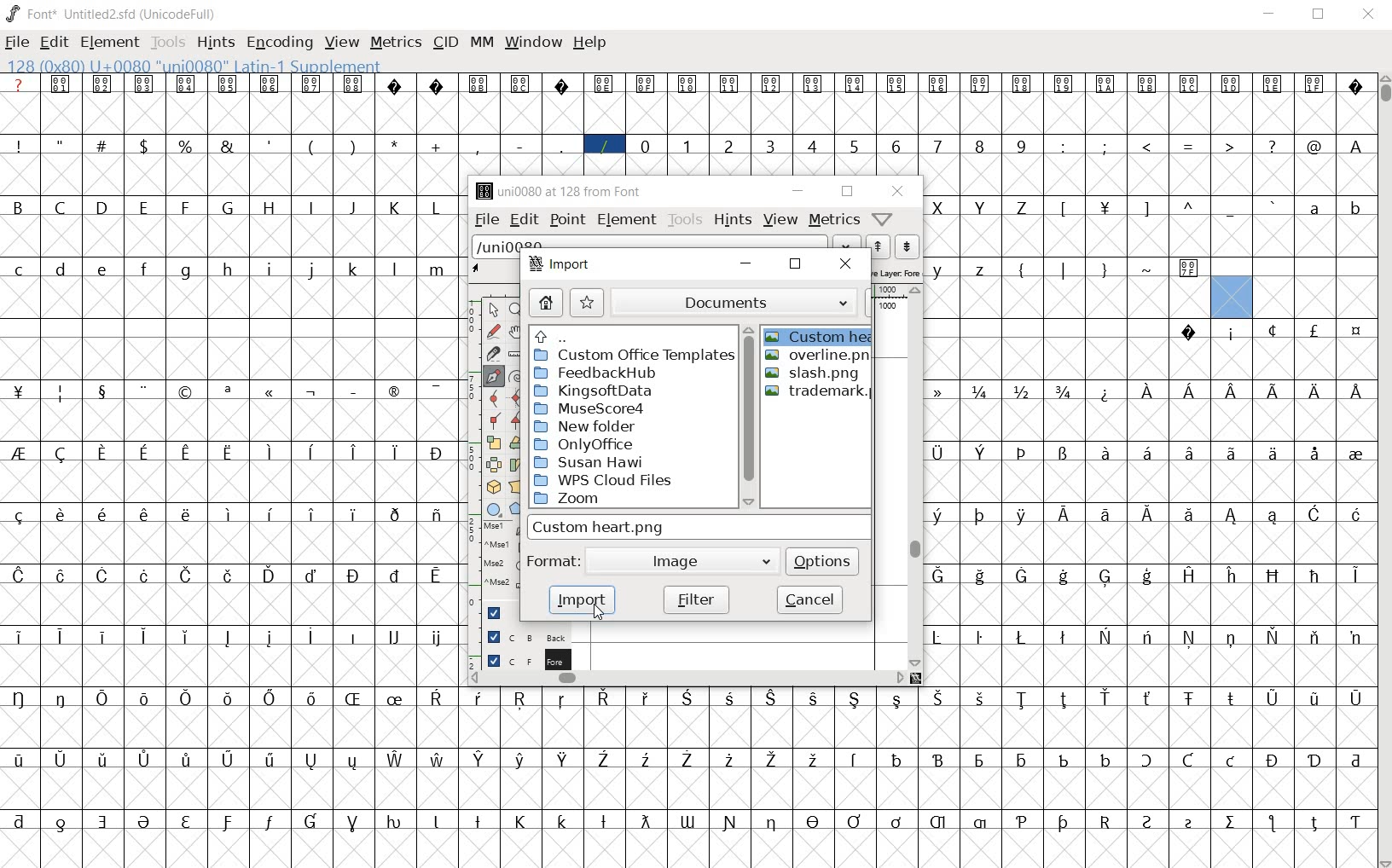 The image size is (1392, 868). I want to click on glyph, so click(229, 576).